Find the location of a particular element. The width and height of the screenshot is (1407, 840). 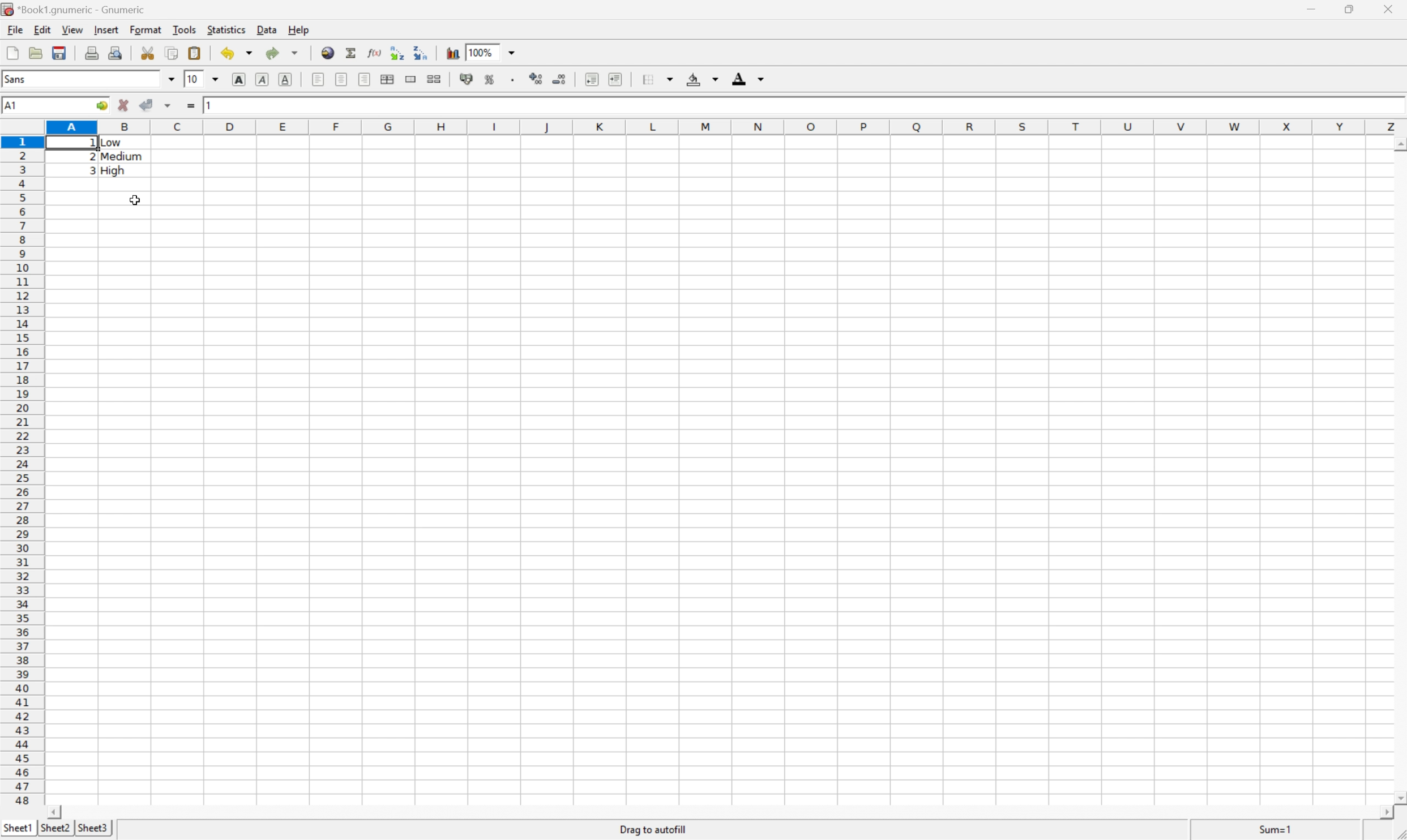

Save current workbook is located at coordinates (60, 53).